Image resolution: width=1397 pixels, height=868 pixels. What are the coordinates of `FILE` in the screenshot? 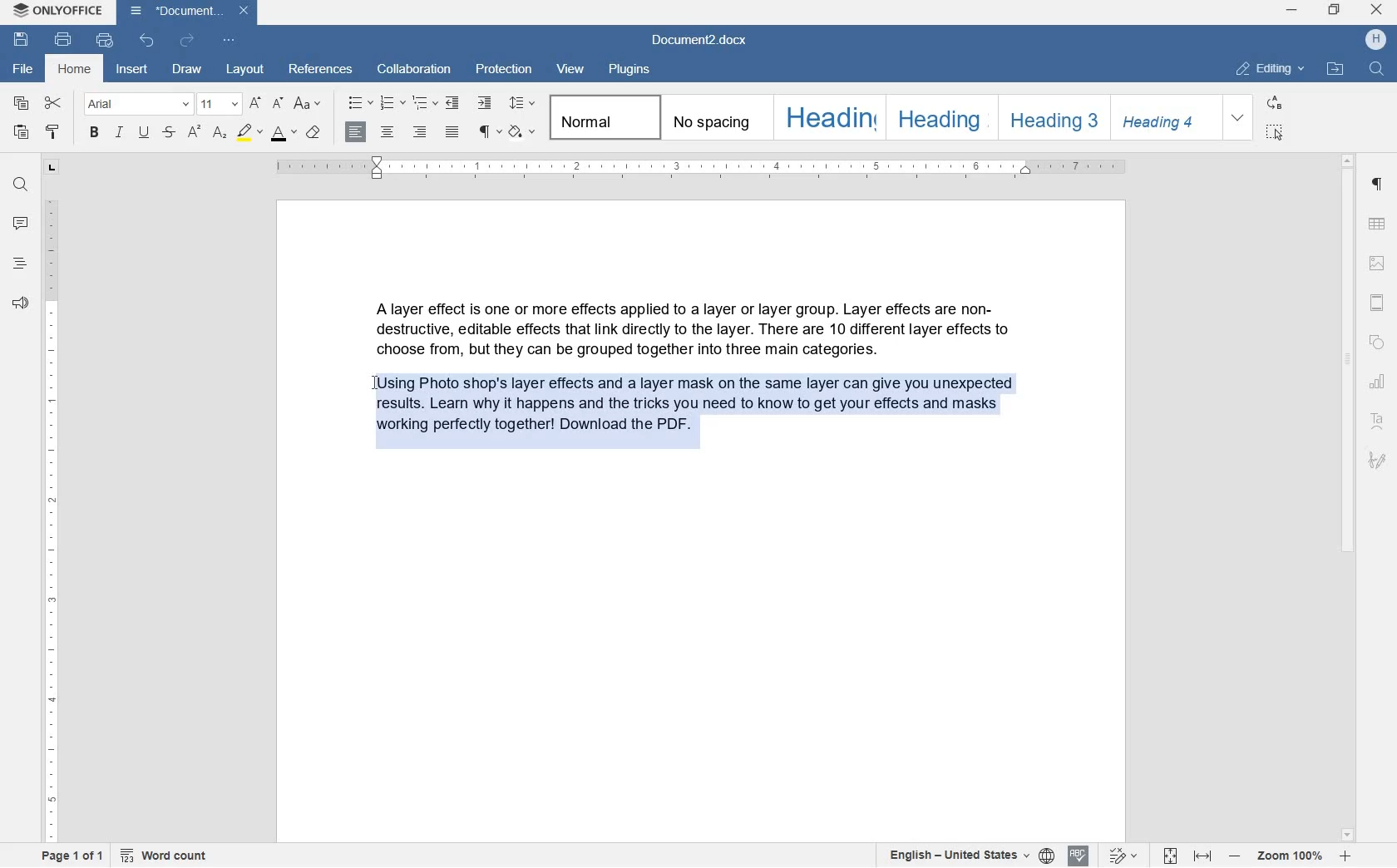 It's located at (21, 67).